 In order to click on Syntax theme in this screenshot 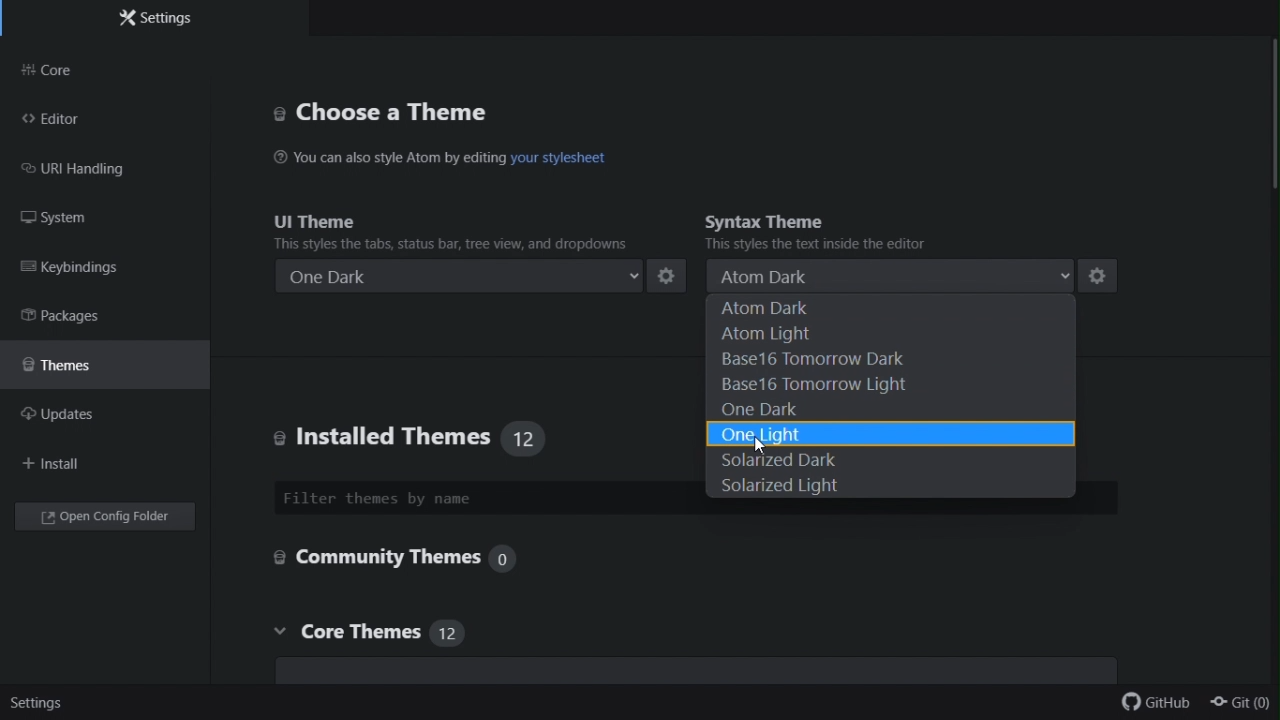, I will do `click(821, 231)`.